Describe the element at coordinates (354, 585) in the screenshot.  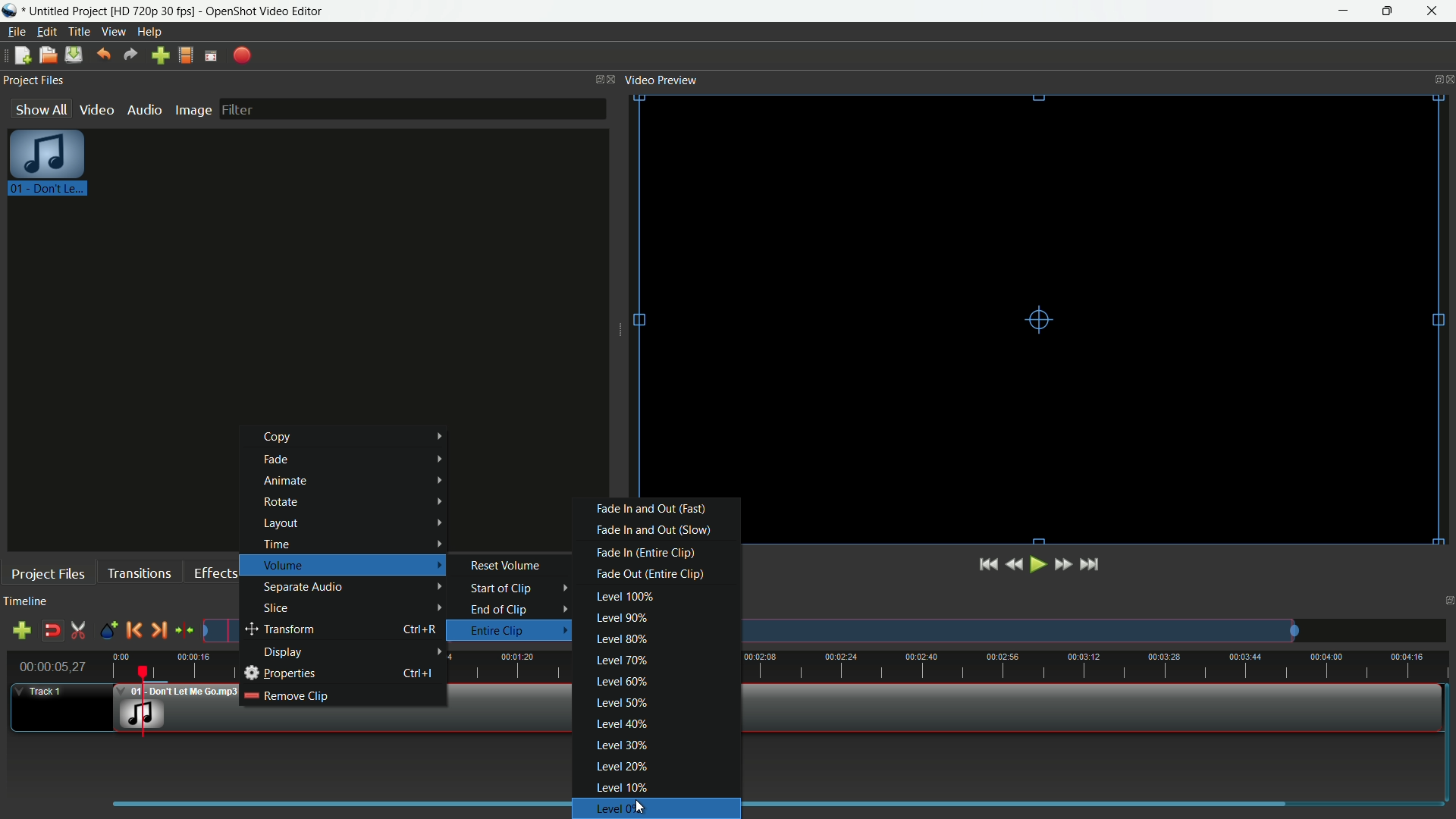
I see `separate audio` at that location.